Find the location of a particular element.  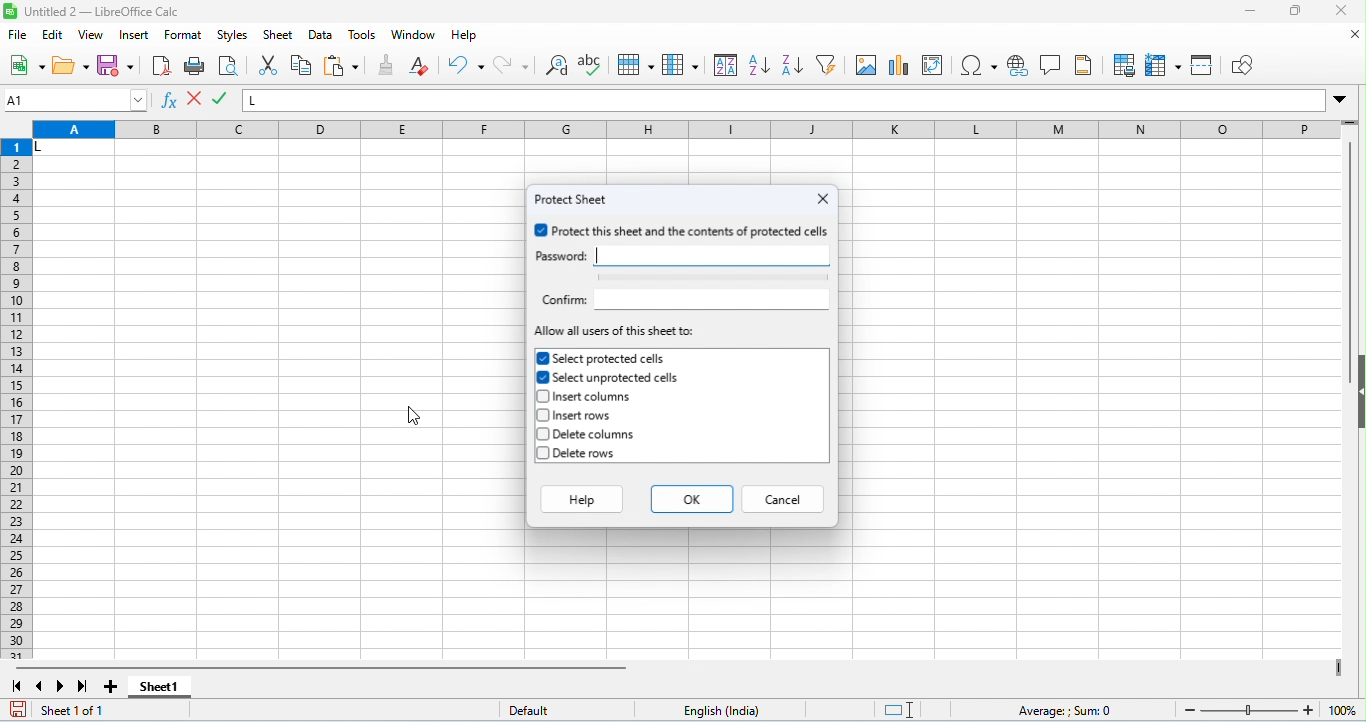

insert rows is located at coordinates (577, 416).